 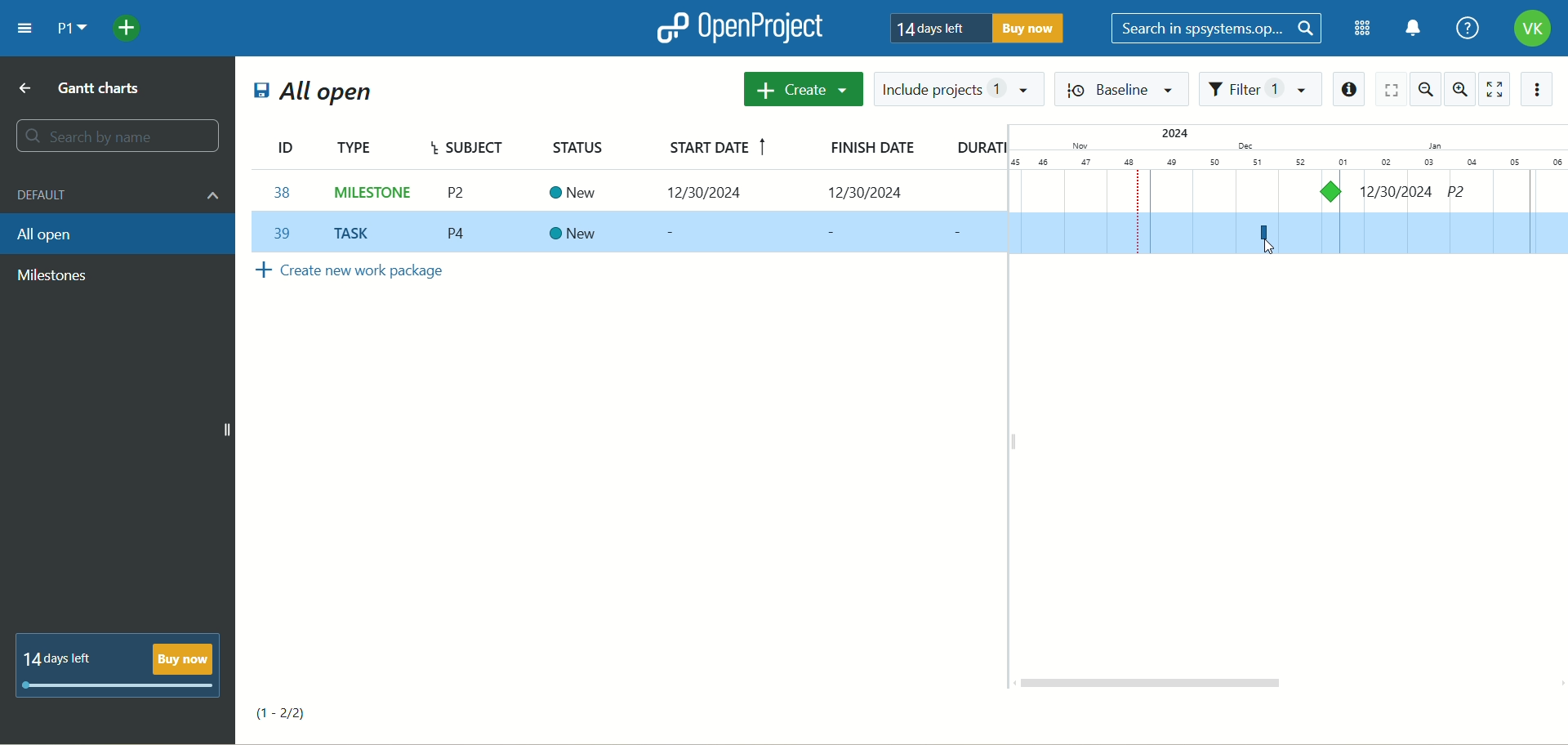 What do you see at coordinates (1260, 89) in the screenshot?
I see `filter` at bounding box center [1260, 89].